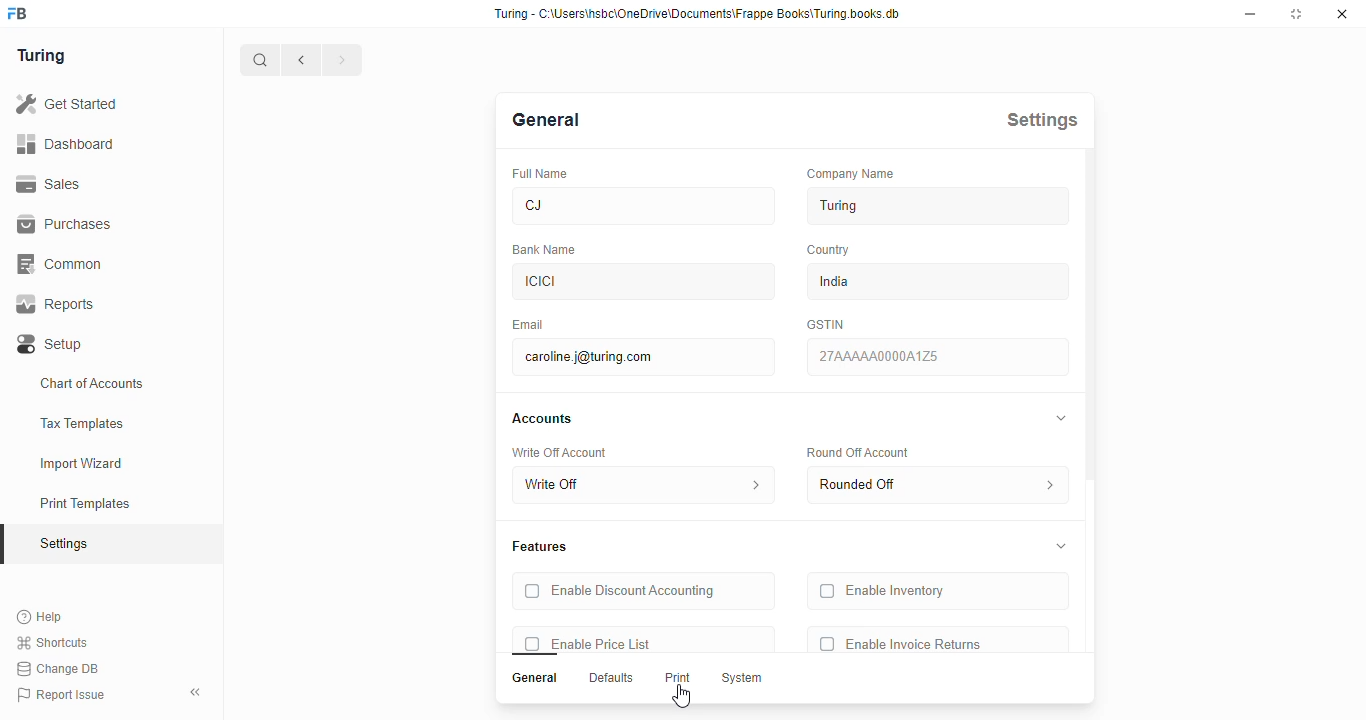  Describe the element at coordinates (937, 356) in the screenshot. I see `27AAAAAD000A1Z5` at that location.